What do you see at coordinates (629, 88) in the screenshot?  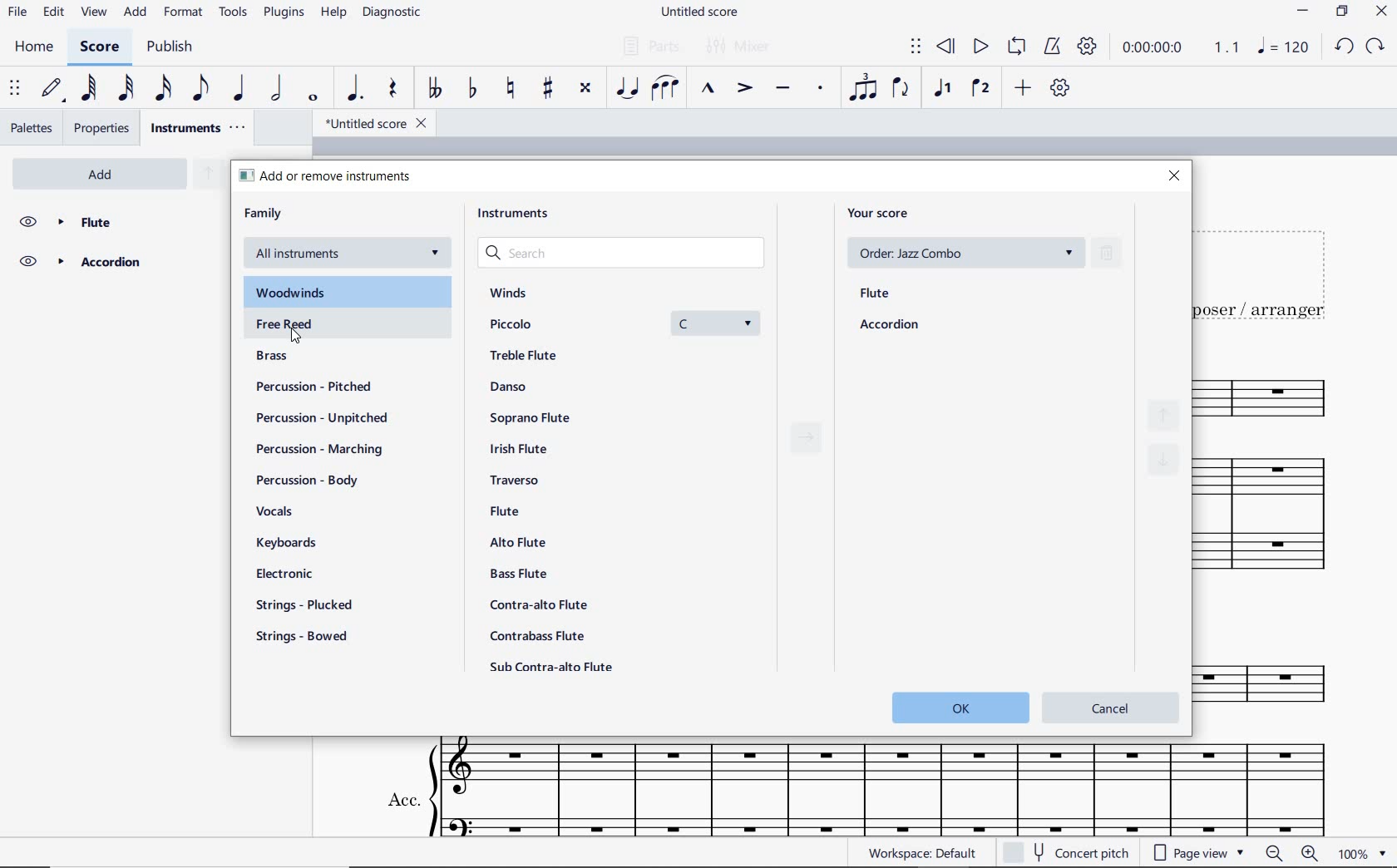 I see `tie` at bounding box center [629, 88].